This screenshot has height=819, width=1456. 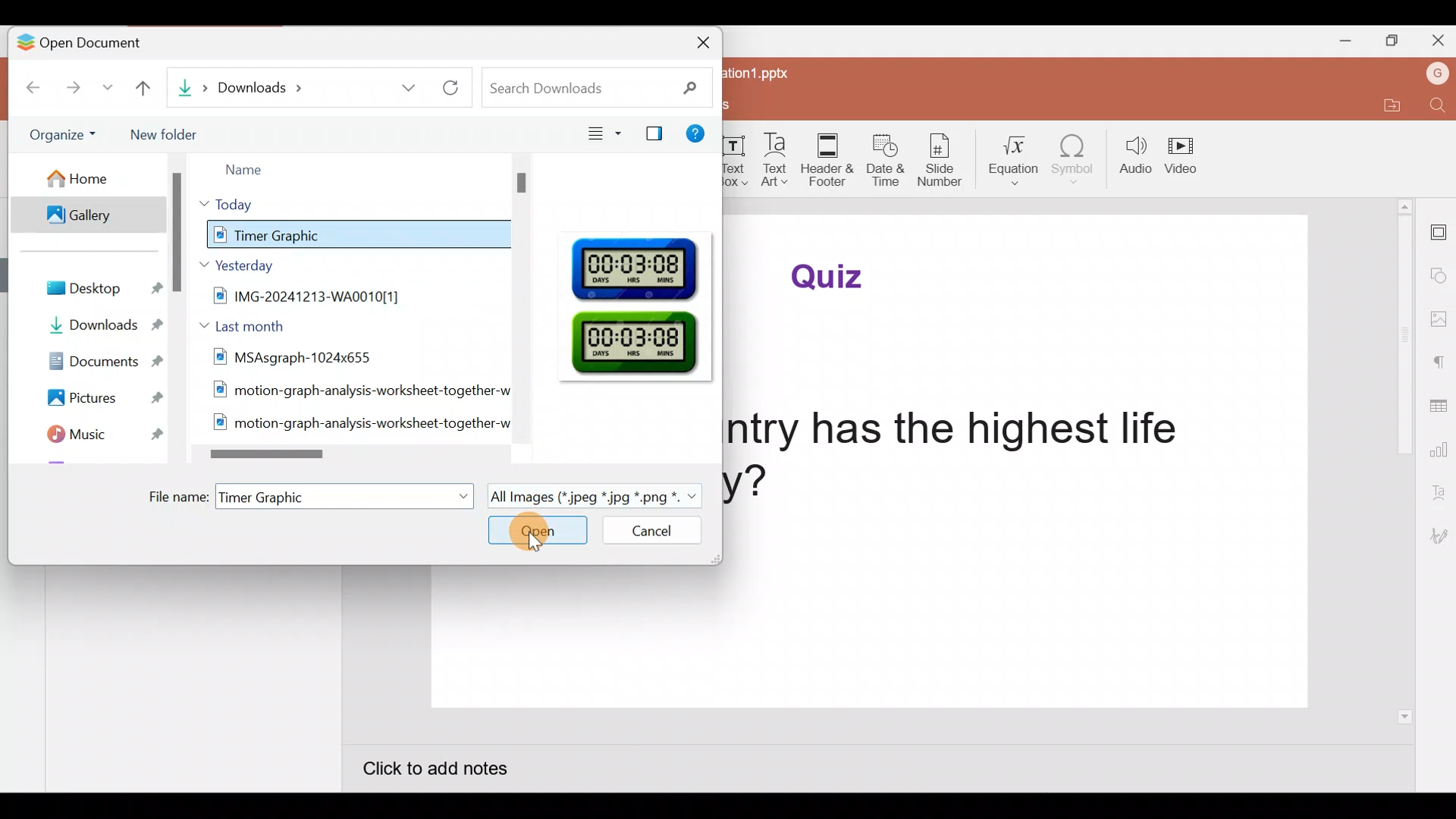 I want to click on Downloads, so click(x=97, y=325).